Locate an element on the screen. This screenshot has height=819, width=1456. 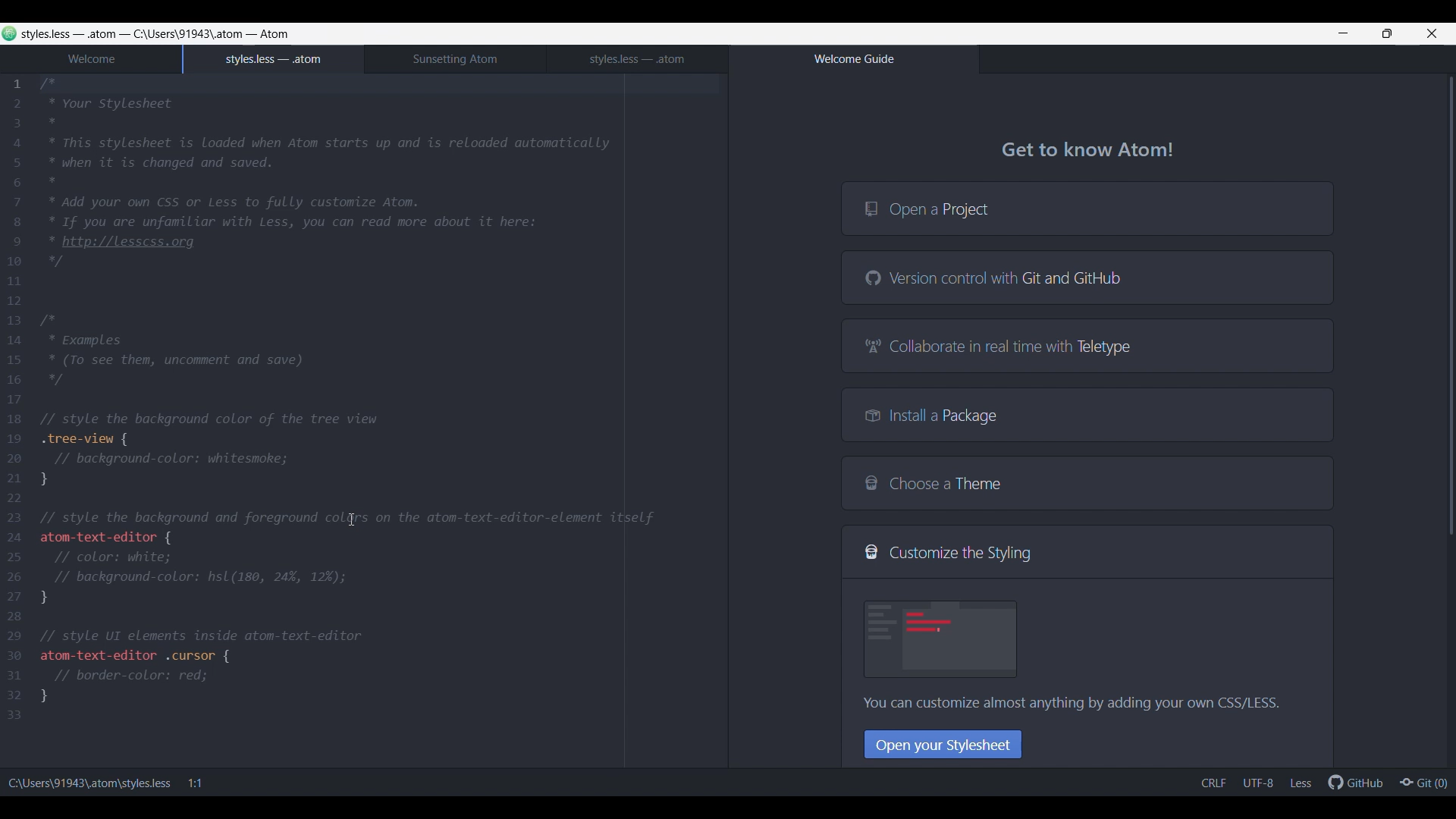
Get to know Atom! is located at coordinates (1088, 152).